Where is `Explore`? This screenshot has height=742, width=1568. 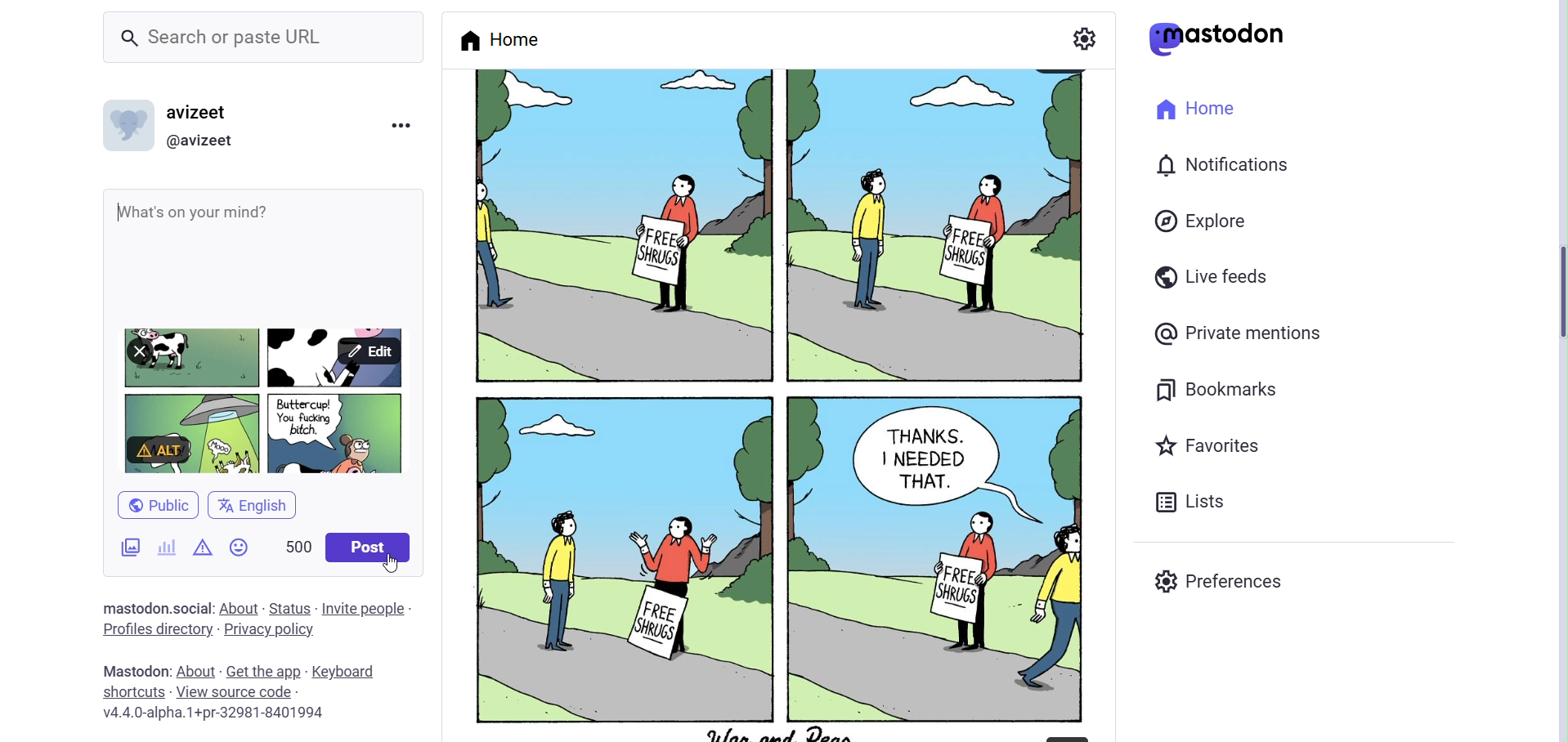 Explore is located at coordinates (1203, 223).